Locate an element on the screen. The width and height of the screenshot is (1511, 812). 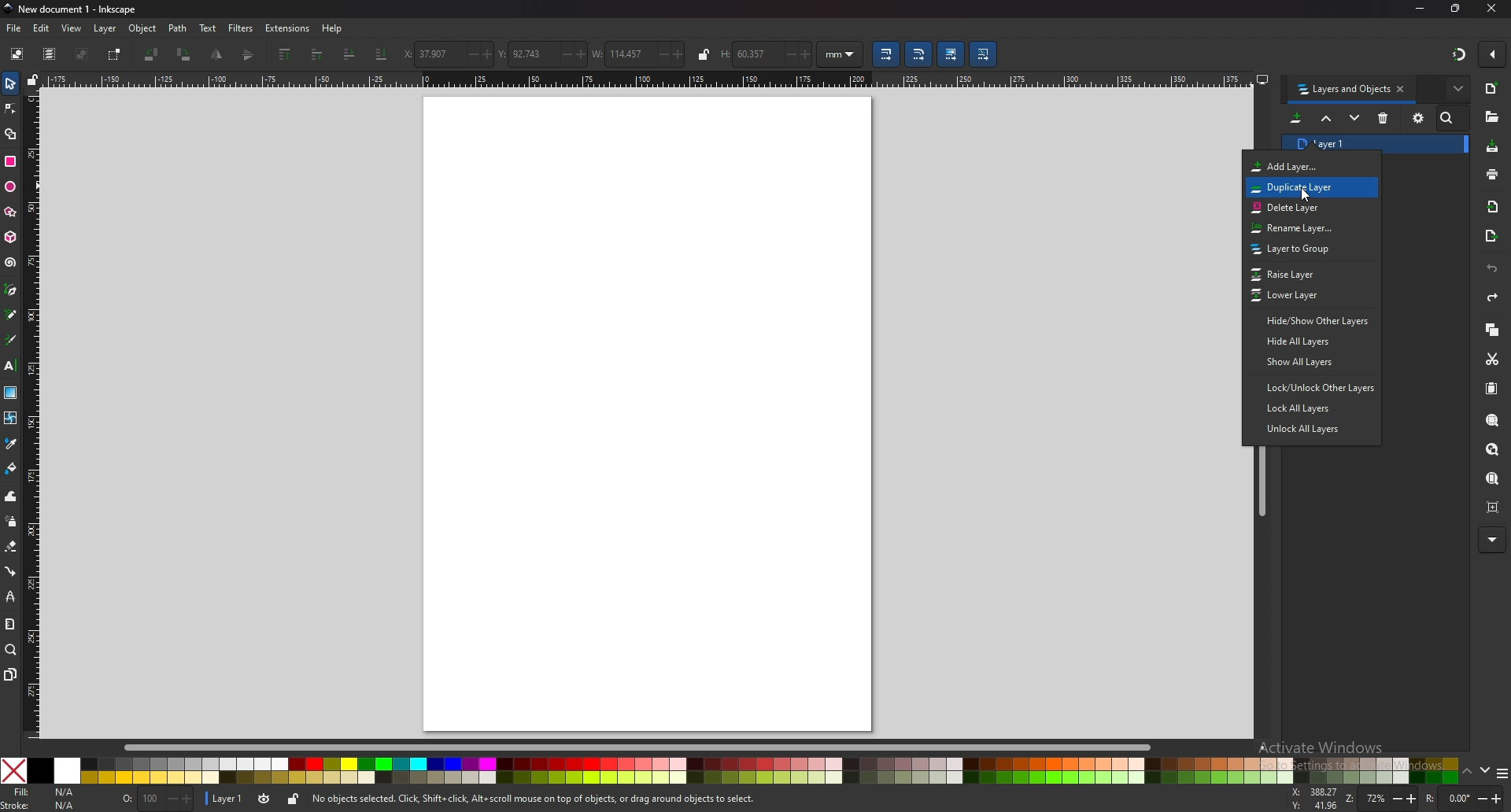
measure is located at coordinates (10, 624).